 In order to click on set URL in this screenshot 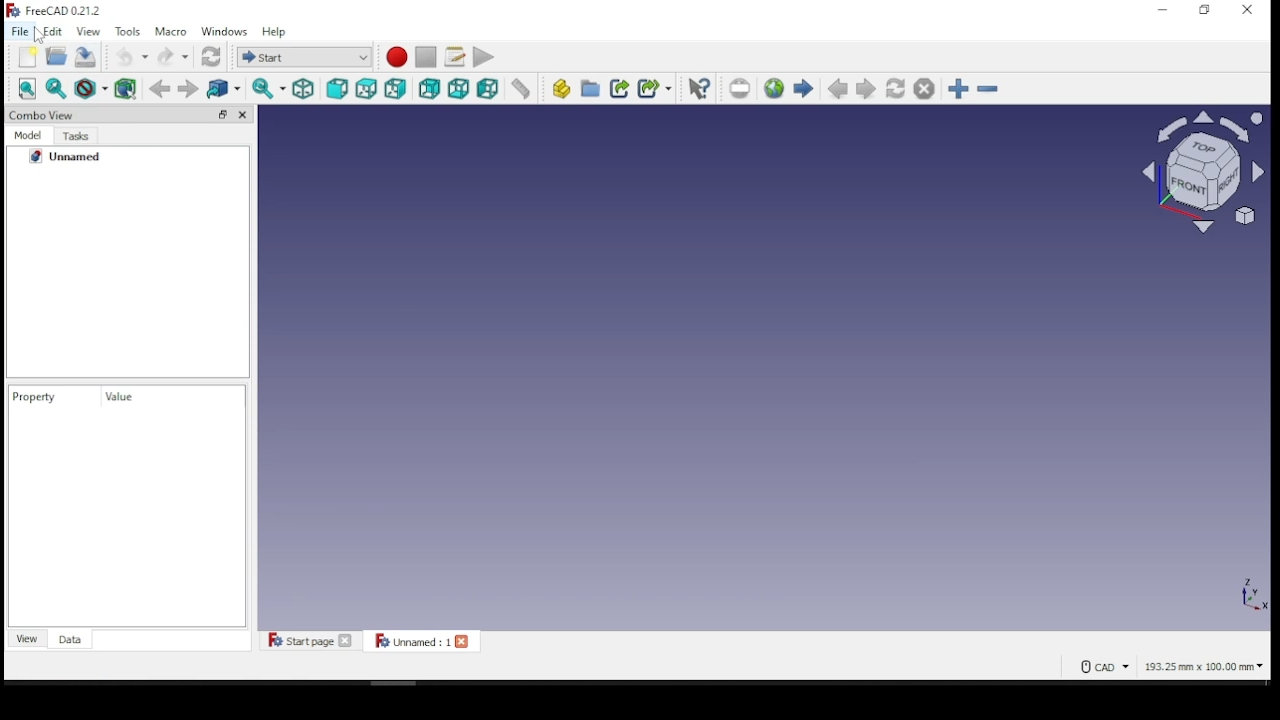, I will do `click(739, 88)`.